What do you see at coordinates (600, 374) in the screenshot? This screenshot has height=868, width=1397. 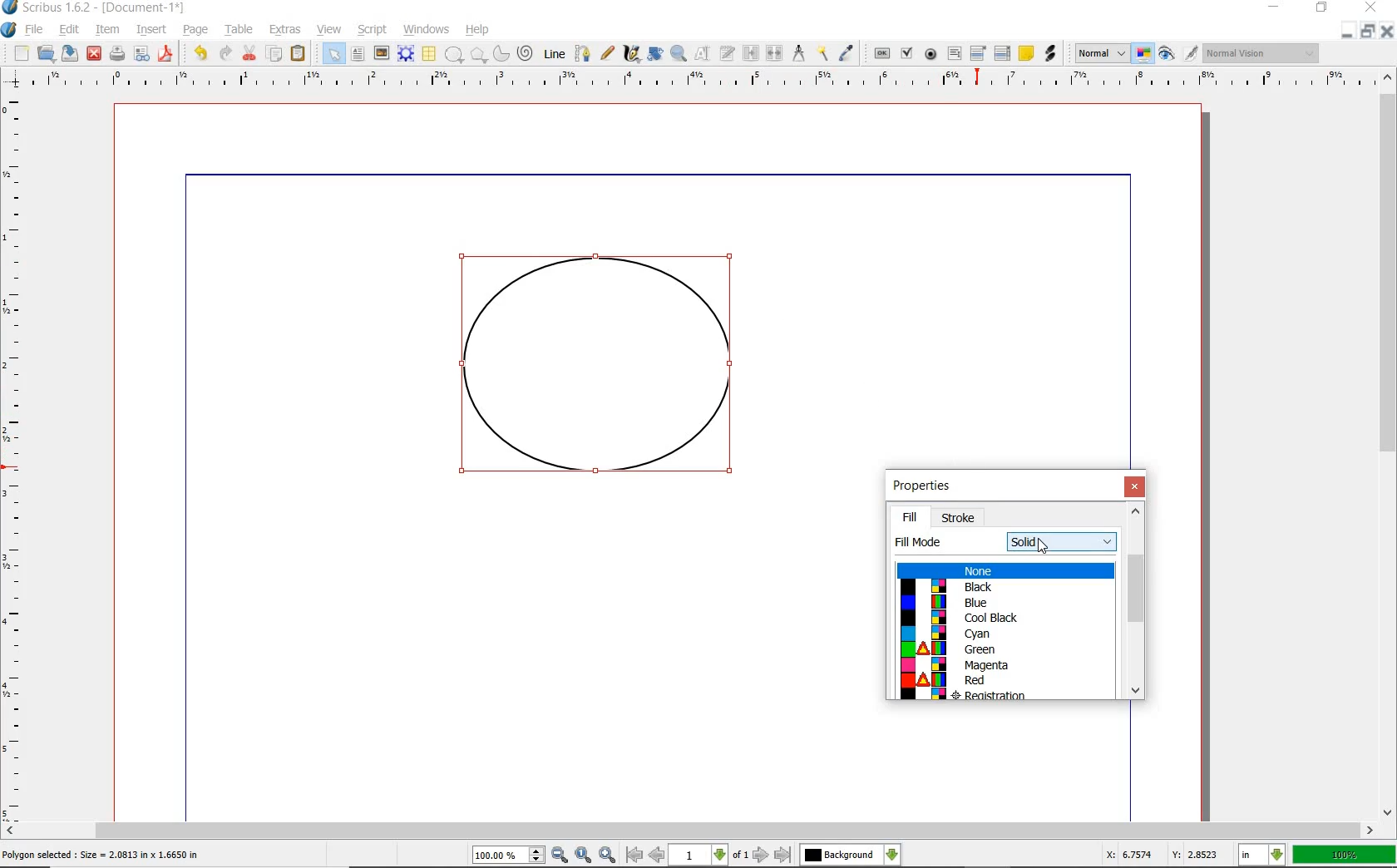 I see `shape drawn` at bounding box center [600, 374].